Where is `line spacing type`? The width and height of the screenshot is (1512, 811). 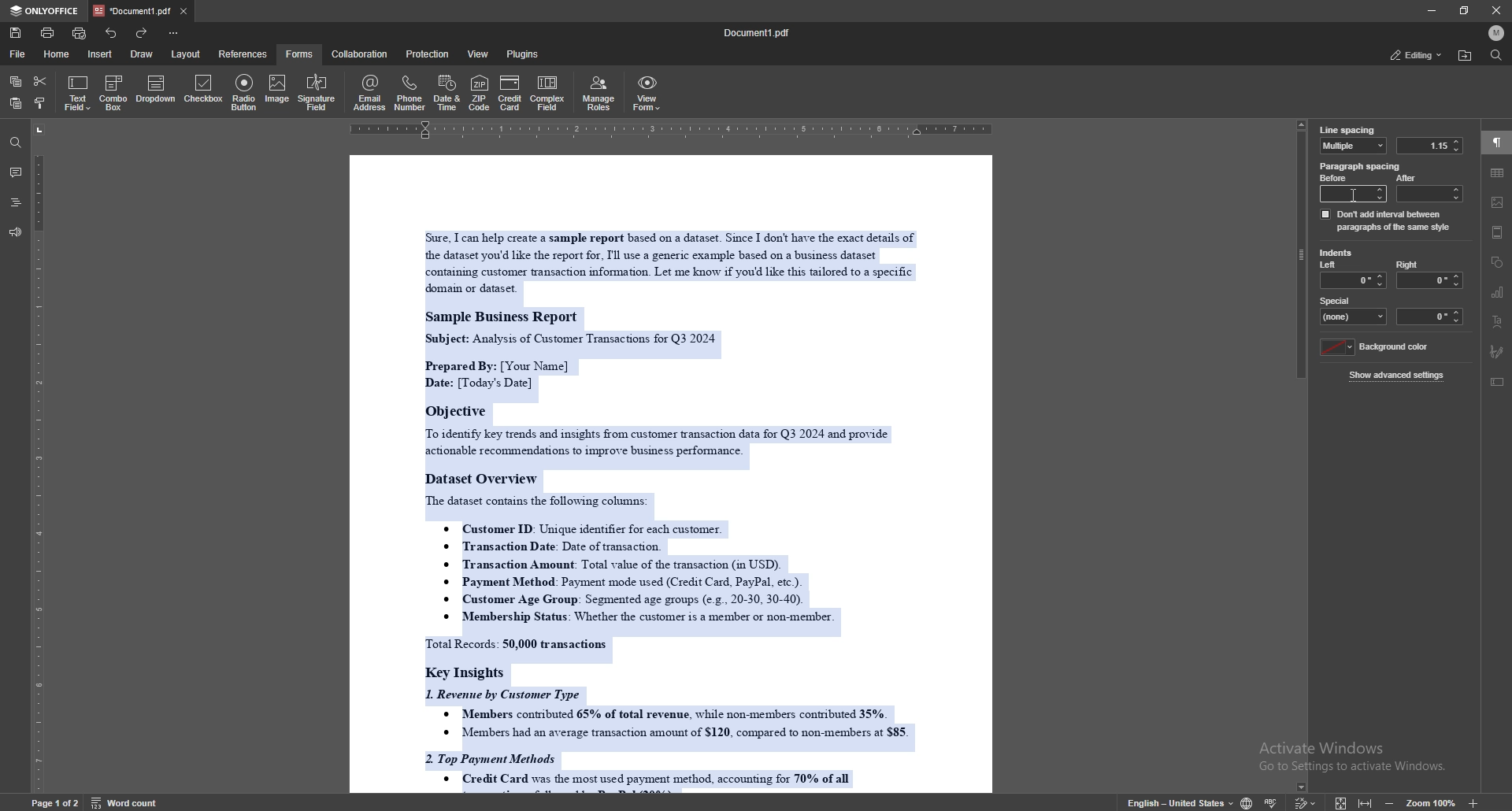 line spacing type is located at coordinates (1354, 146).